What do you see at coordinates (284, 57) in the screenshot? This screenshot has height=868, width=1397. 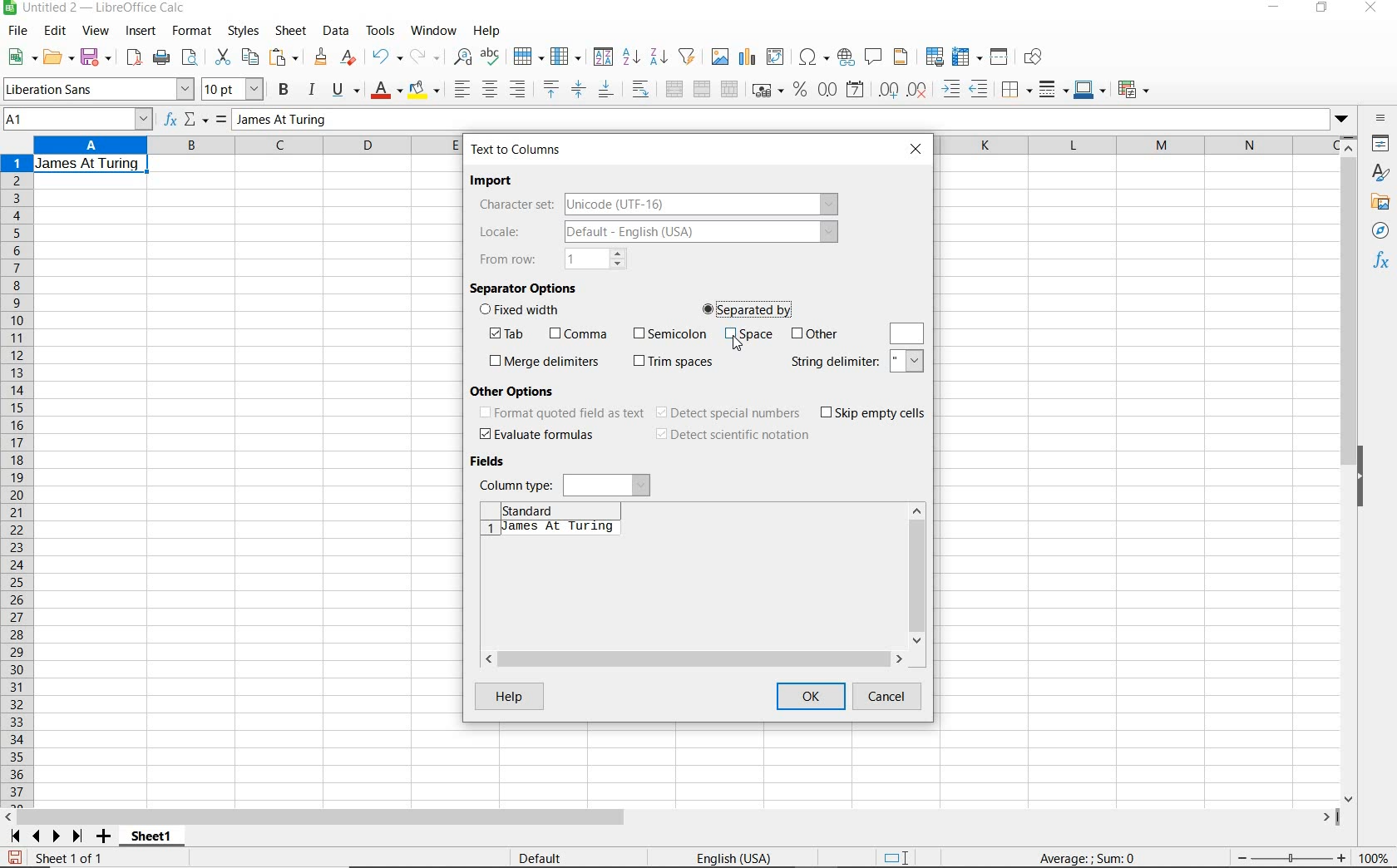 I see `paste` at bounding box center [284, 57].